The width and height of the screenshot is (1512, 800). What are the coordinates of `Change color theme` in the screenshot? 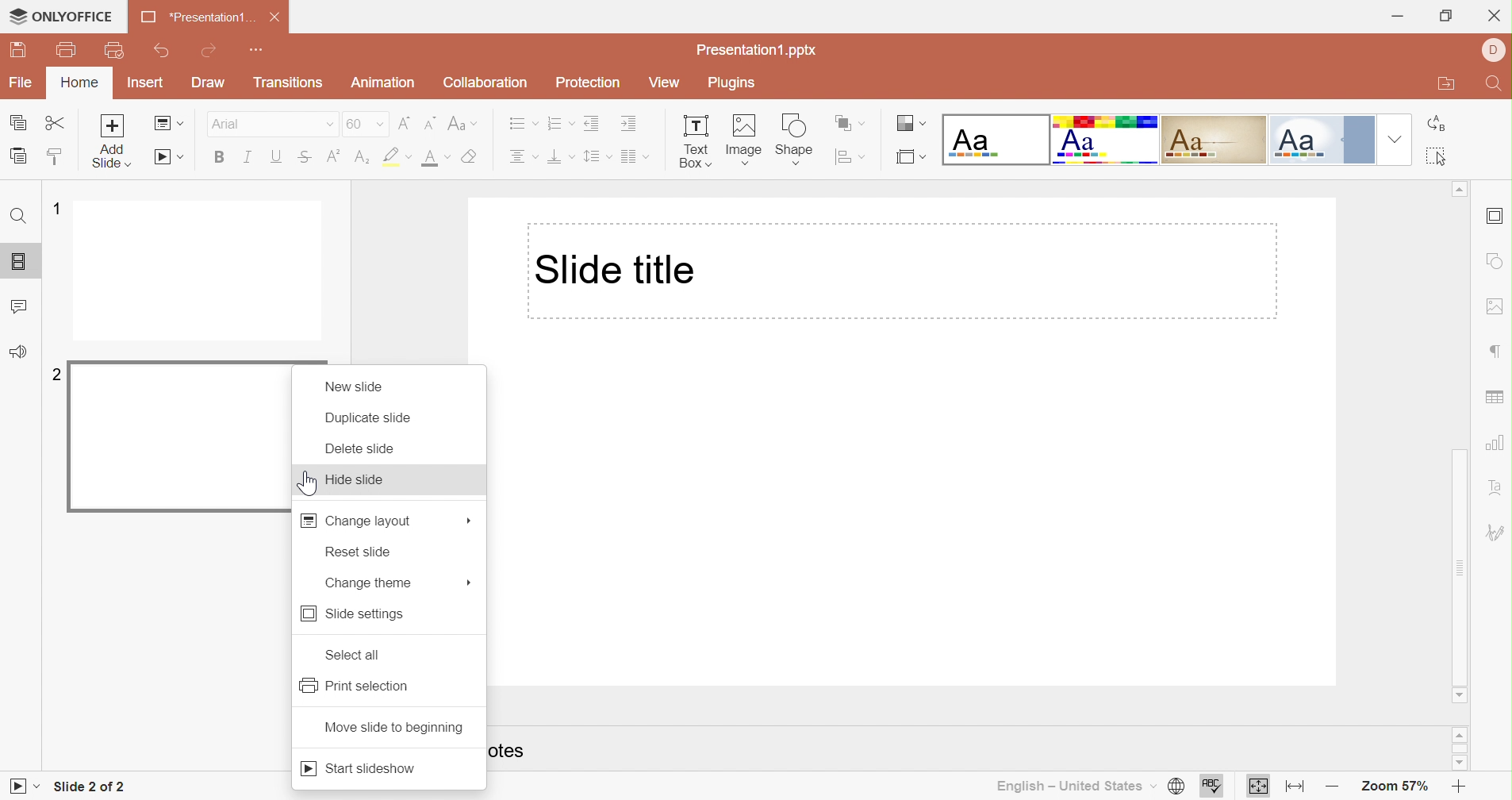 It's located at (908, 124).